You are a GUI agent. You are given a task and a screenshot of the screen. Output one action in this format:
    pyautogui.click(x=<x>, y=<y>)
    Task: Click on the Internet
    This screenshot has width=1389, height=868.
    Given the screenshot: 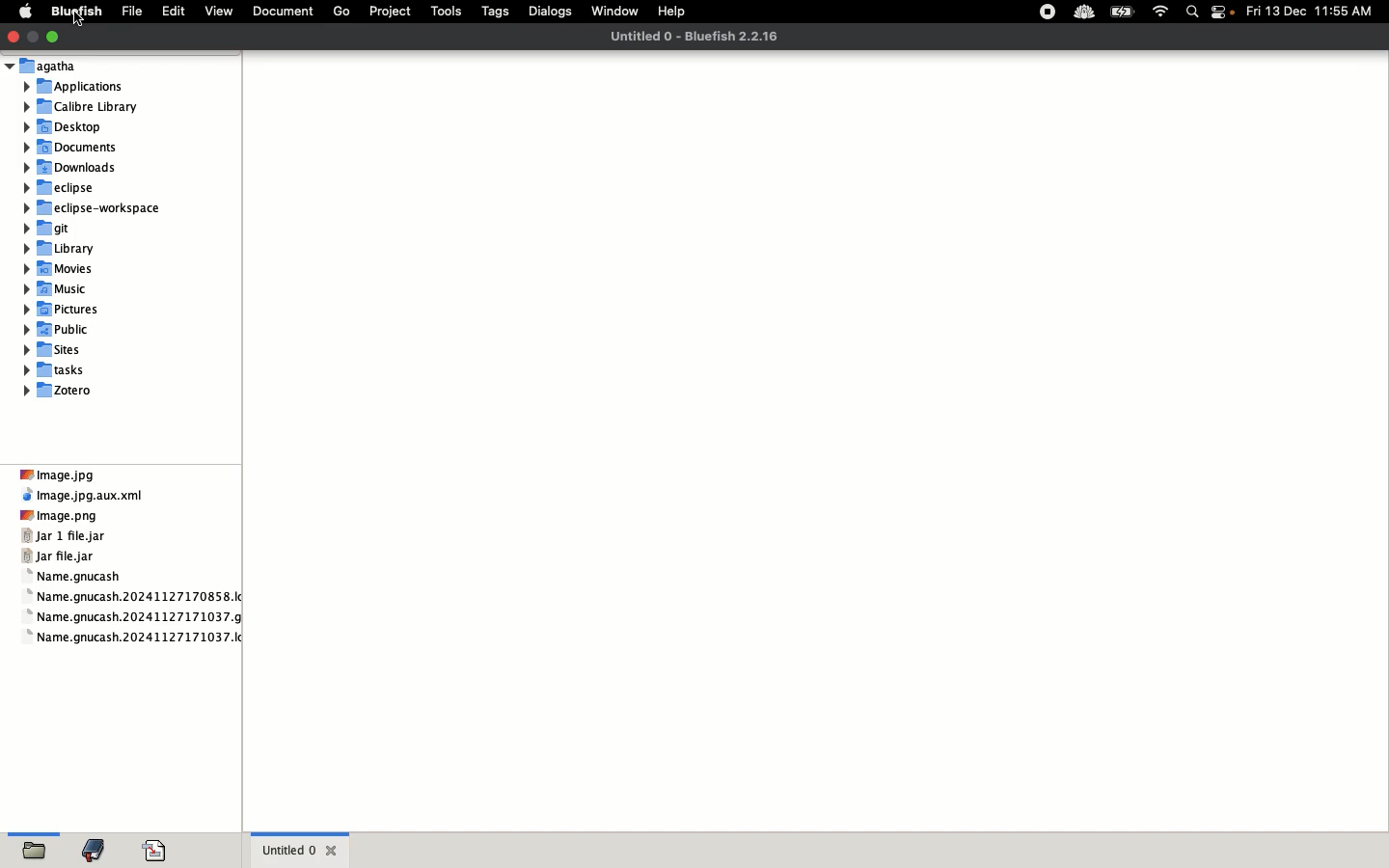 What is the action you would take?
    pyautogui.click(x=1161, y=13)
    